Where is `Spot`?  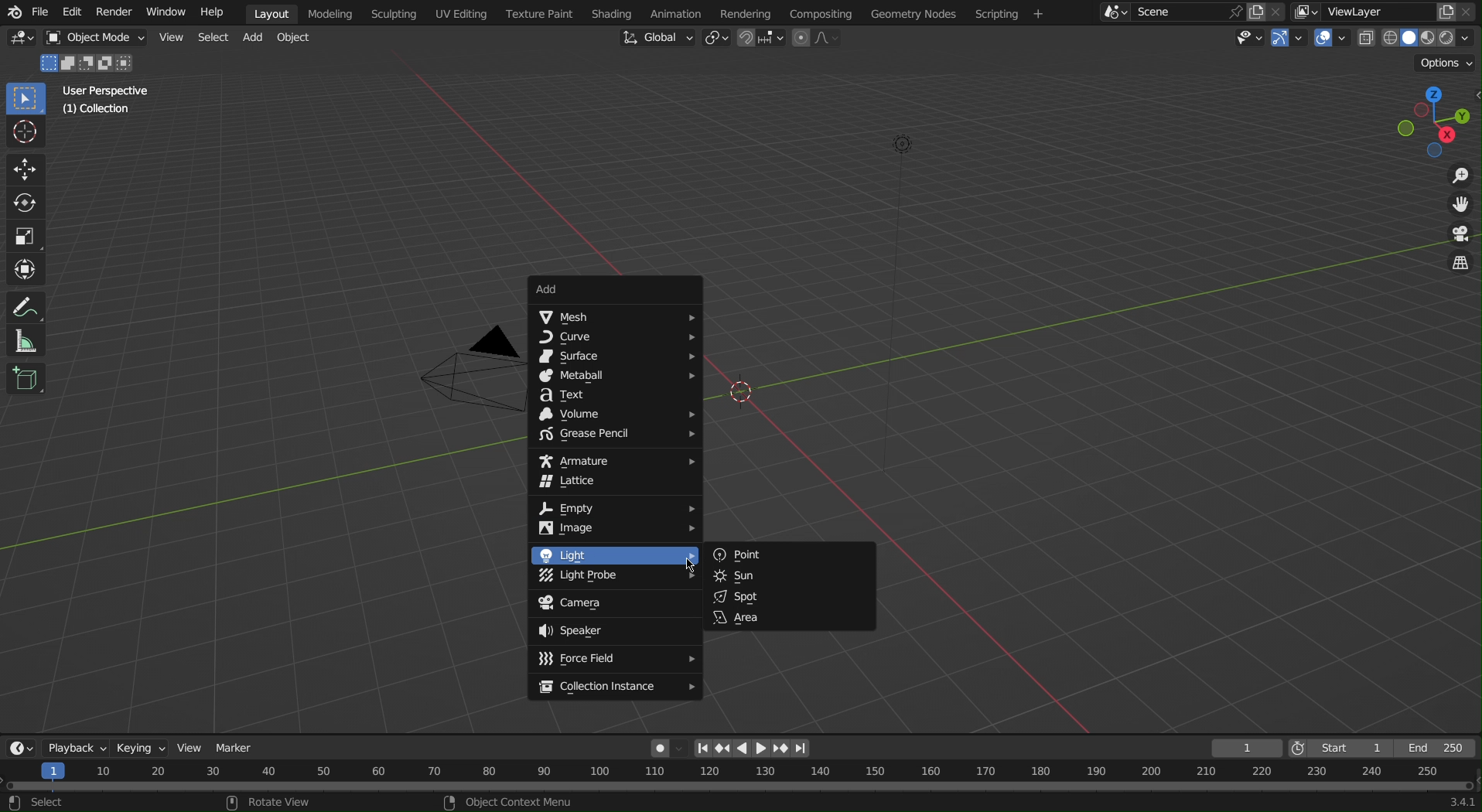
Spot is located at coordinates (790, 595).